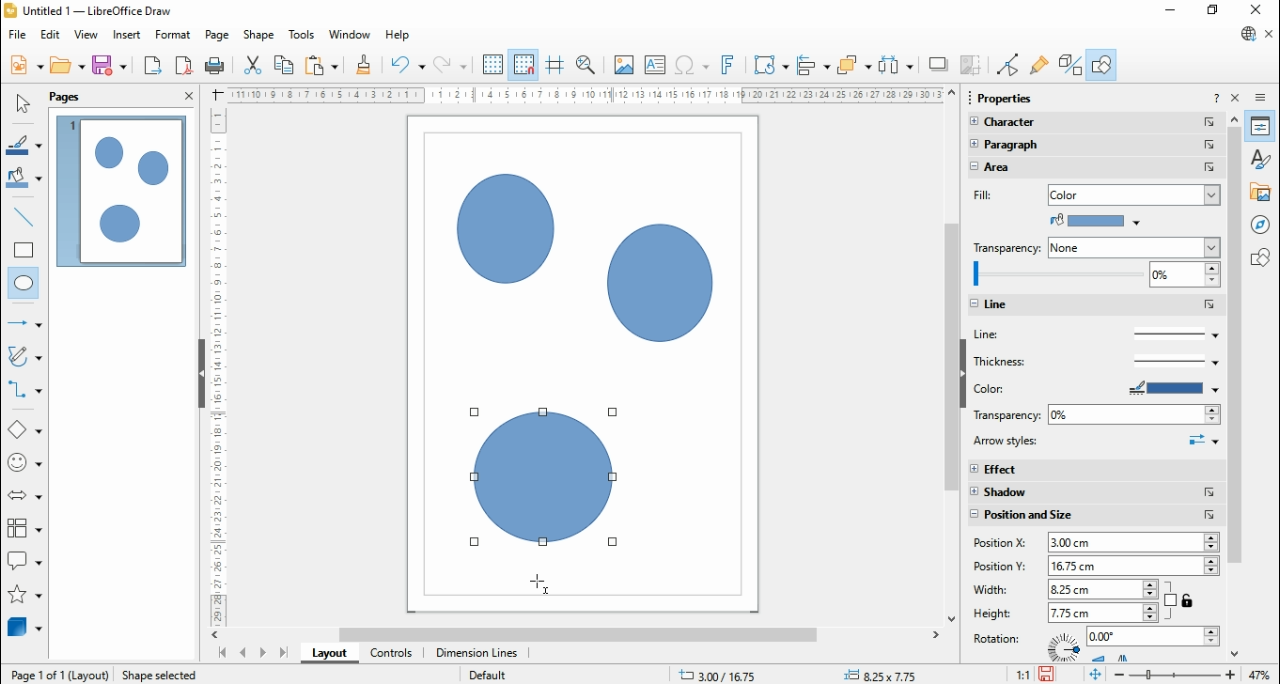  What do you see at coordinates (1175, 675) in the screenshot?
I see `zoom slider` at bounding box center [1175, 675].